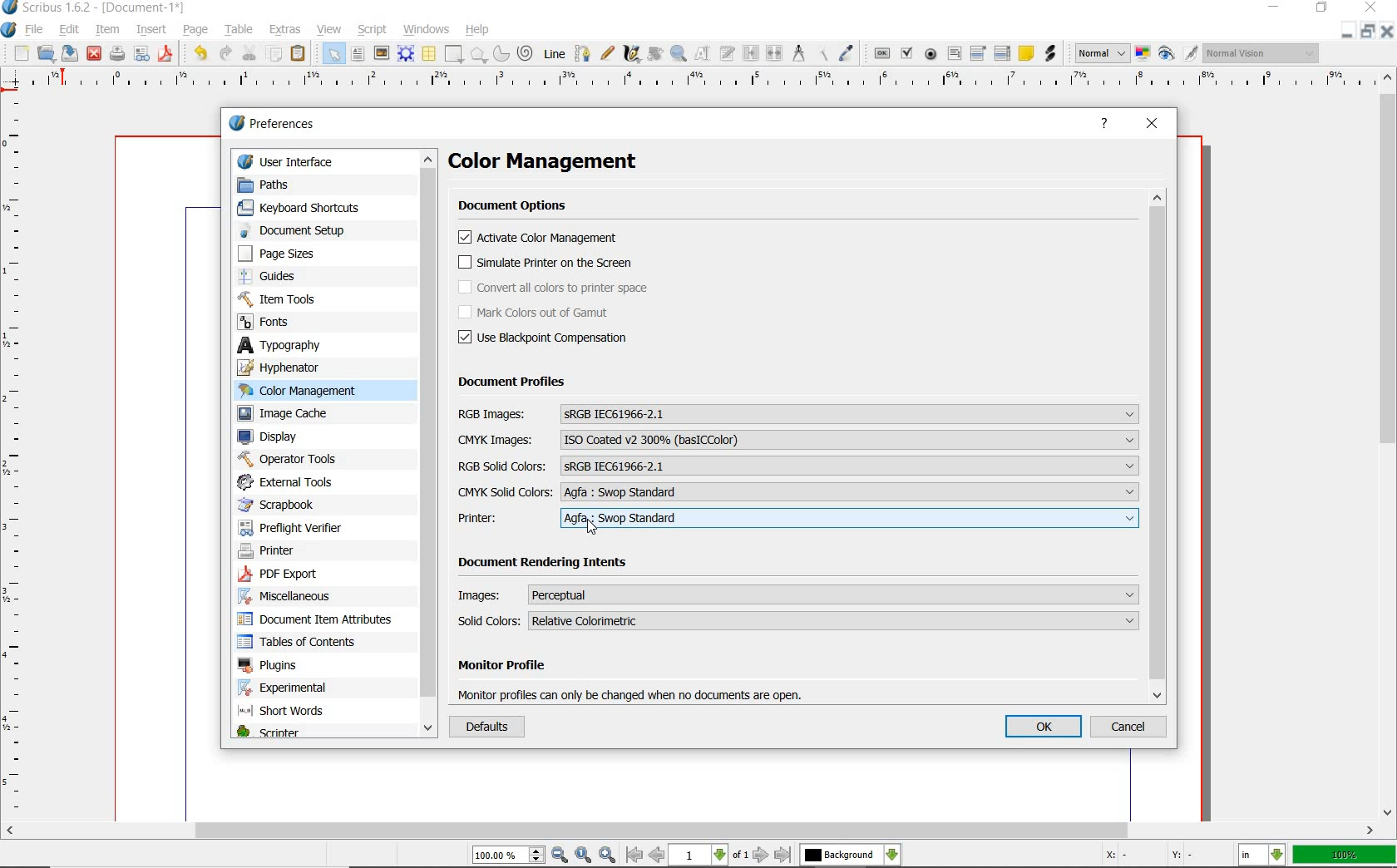 This screenshot has height=868, width=1397. Describe the element at coordinates (1348, 33) in the screenshot. I see `minimize` at that location.